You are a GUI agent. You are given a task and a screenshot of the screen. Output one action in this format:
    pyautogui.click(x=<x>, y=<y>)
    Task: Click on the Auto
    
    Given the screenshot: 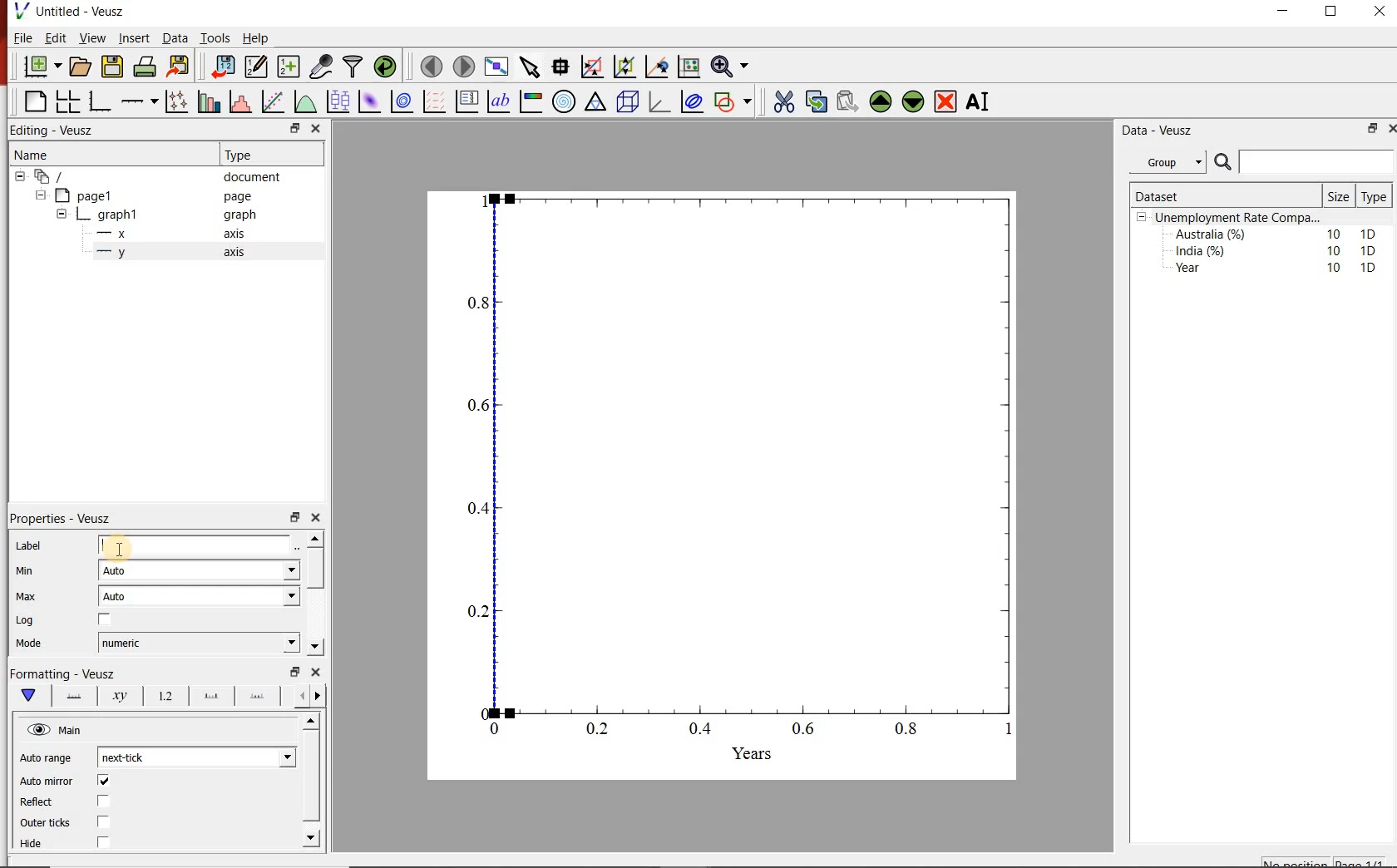 What is the action you would take?
    pyautogui.click(x=200, y=570)
    